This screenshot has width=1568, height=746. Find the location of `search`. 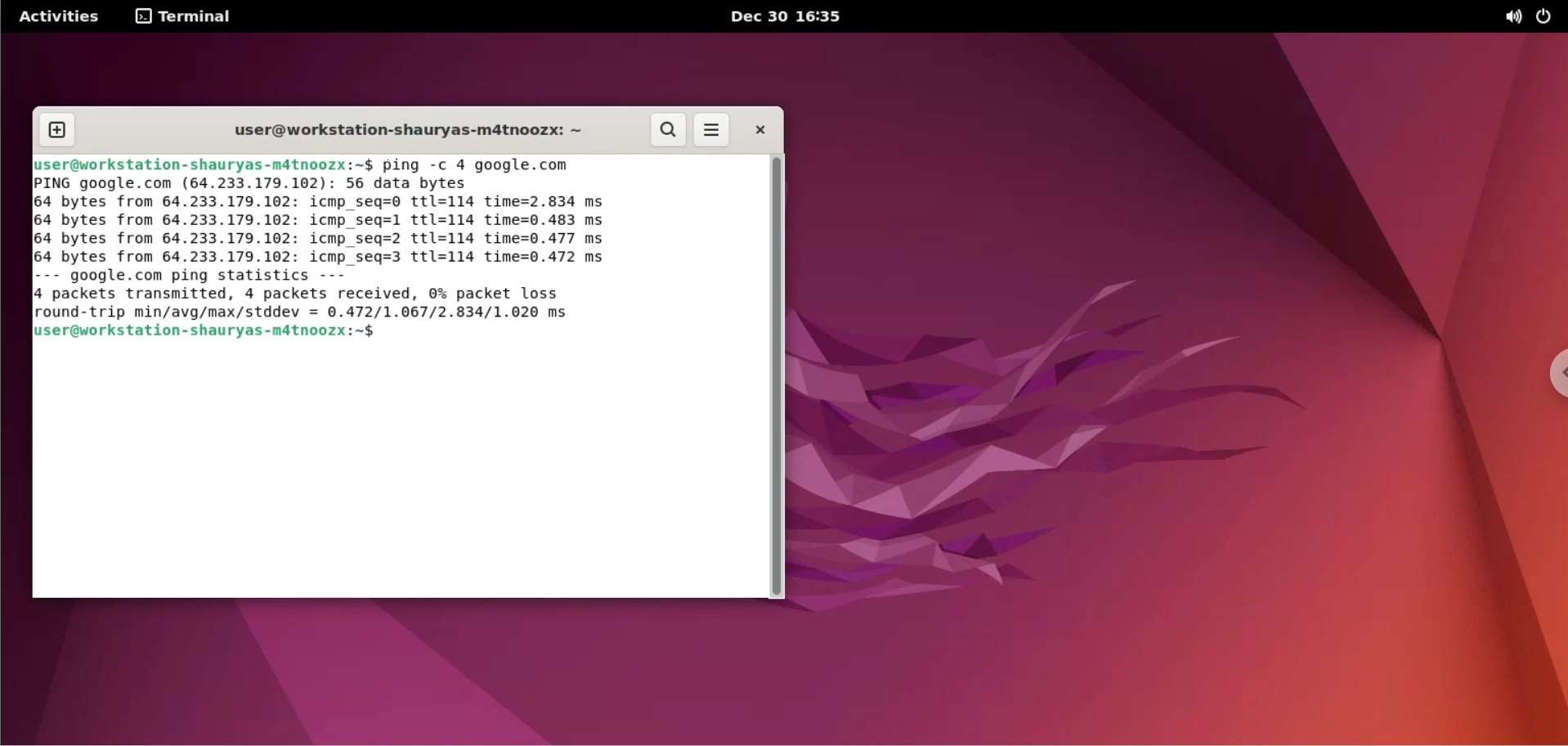

search is located at coordinates (668, 129).